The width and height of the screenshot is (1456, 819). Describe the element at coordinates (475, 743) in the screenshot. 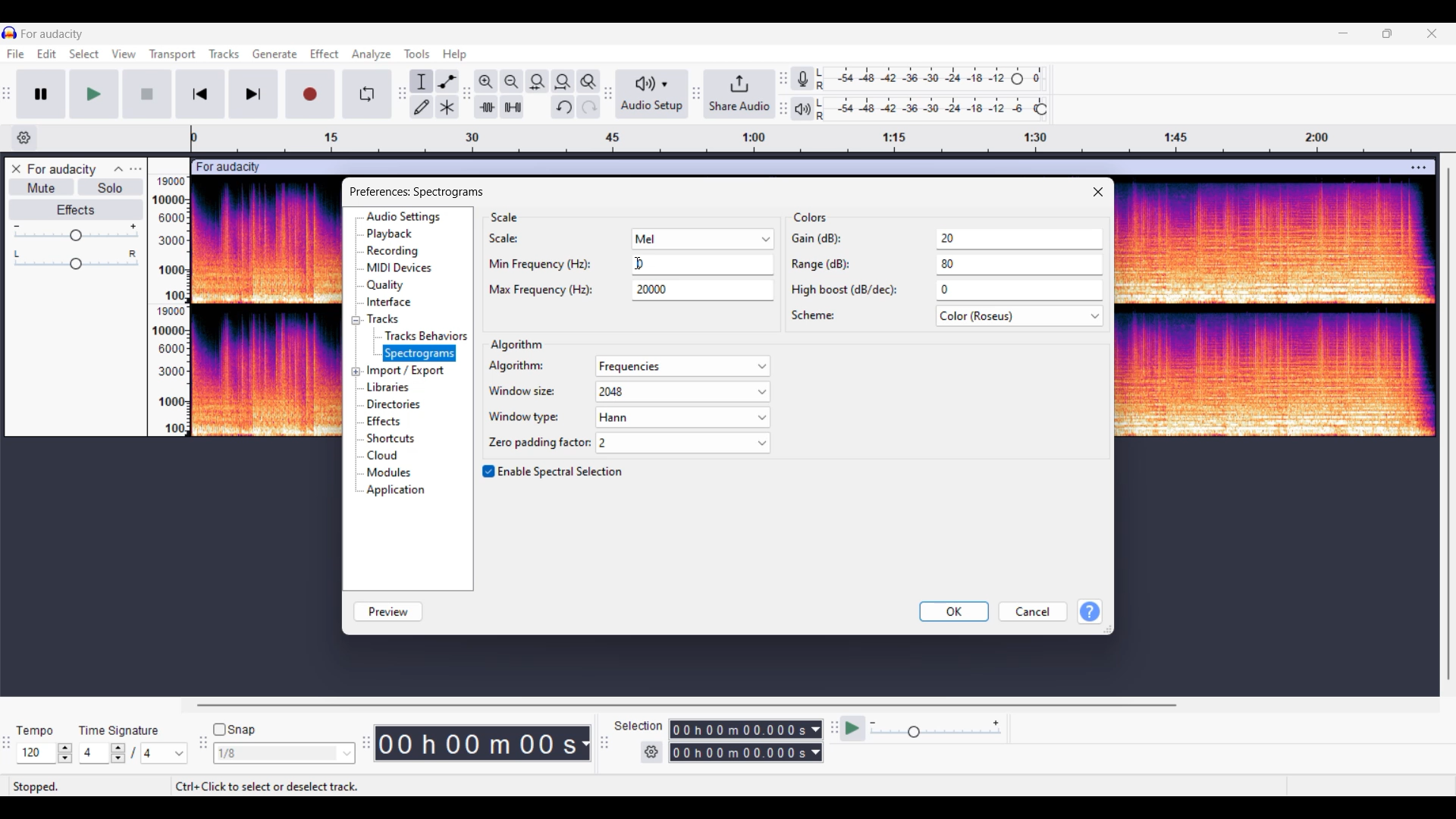

I see `Current duration of track` at that location.